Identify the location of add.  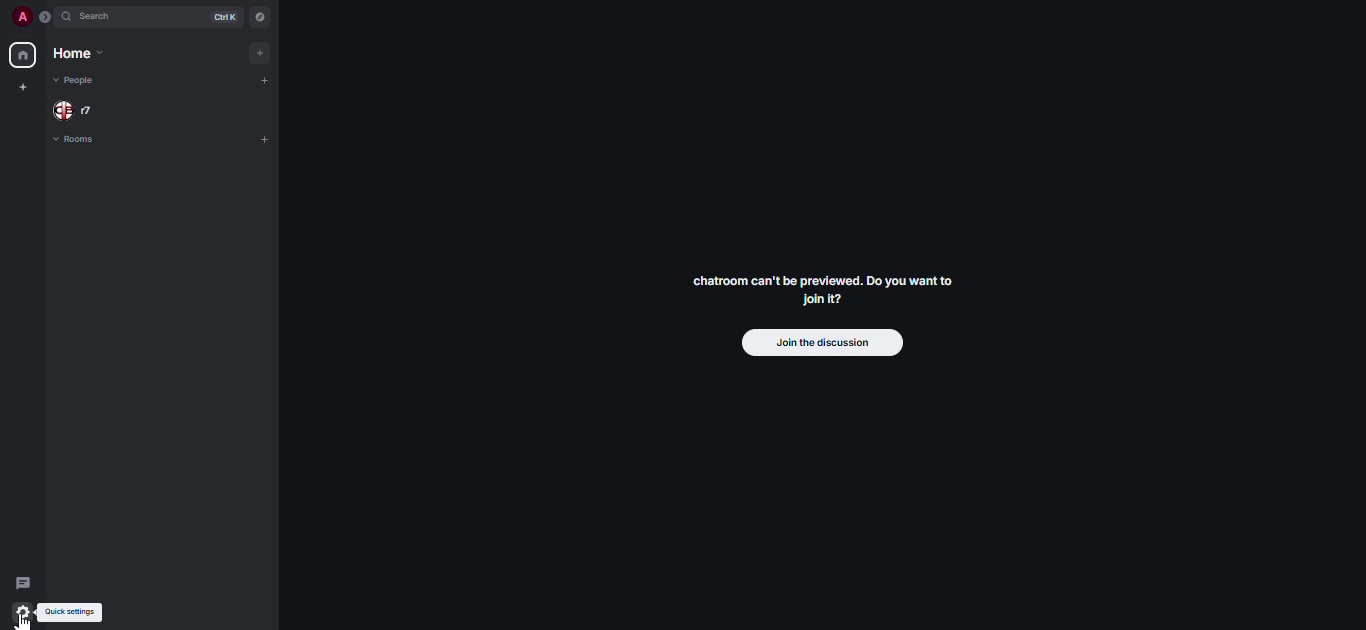
(259, 52).